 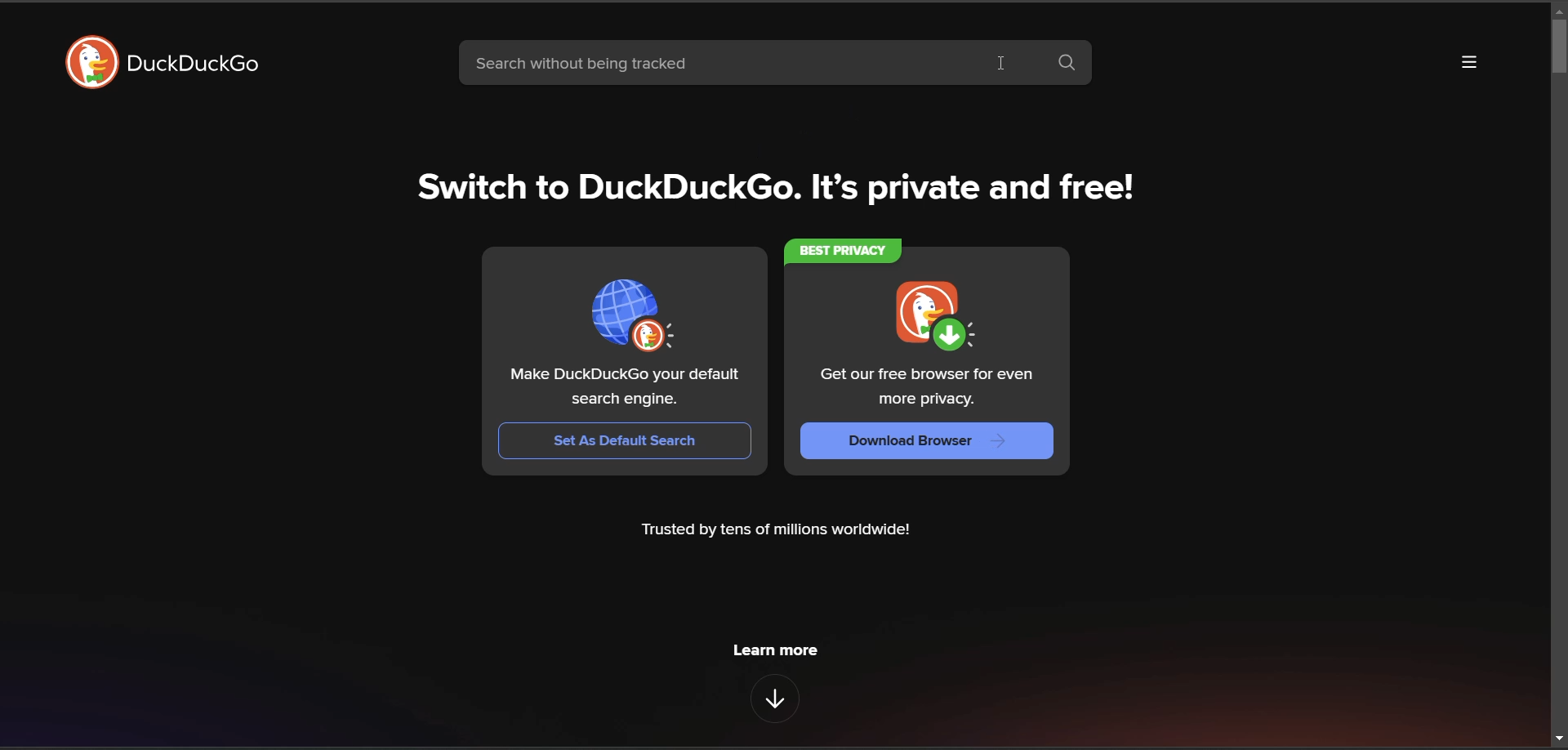 I want to click on Make DuckDuckGo your default search engine., so click(x=627, y=386).